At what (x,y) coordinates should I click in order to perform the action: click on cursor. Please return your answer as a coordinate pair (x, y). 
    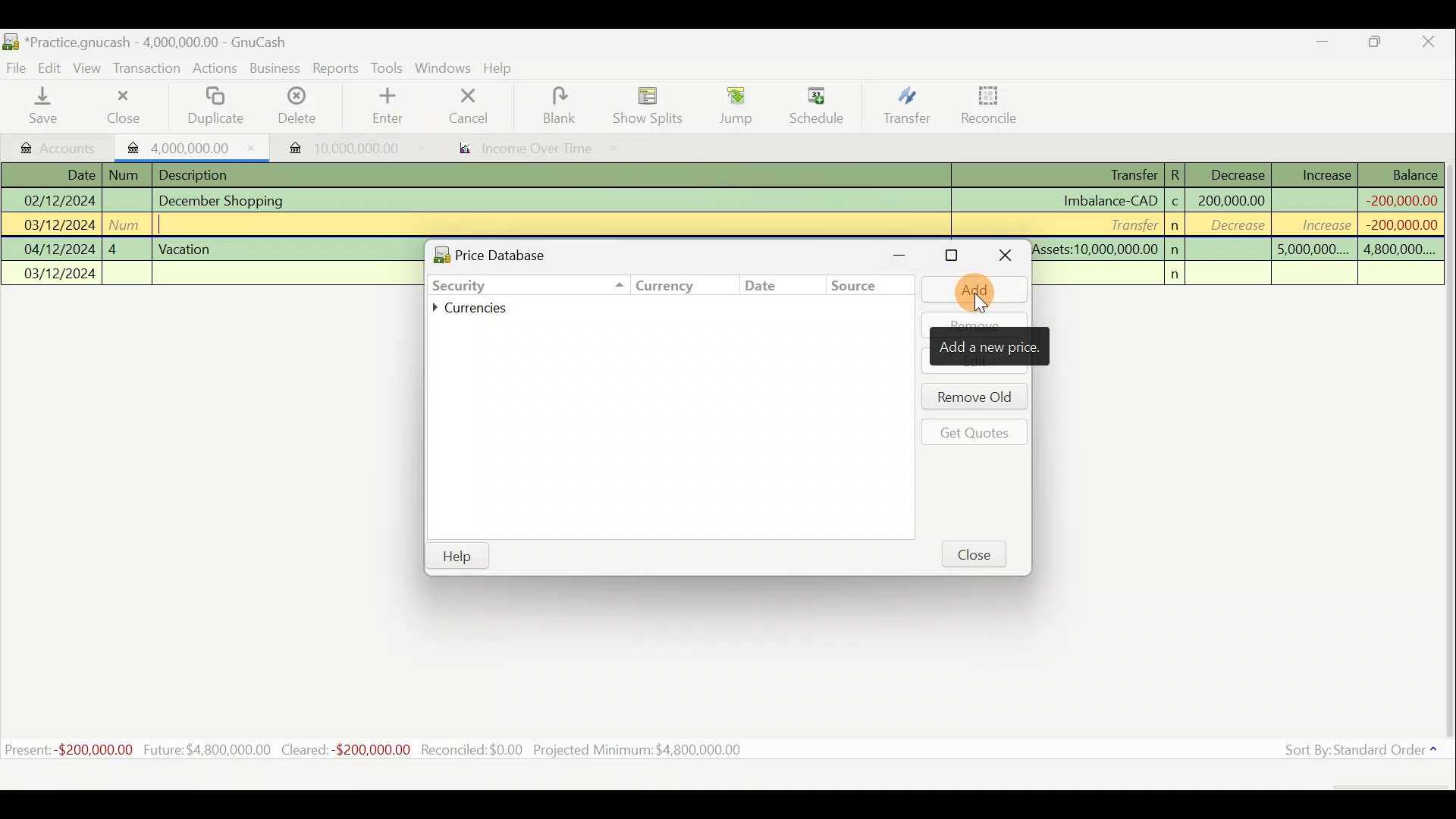
    Looking at the image, I should click on (978, 304).